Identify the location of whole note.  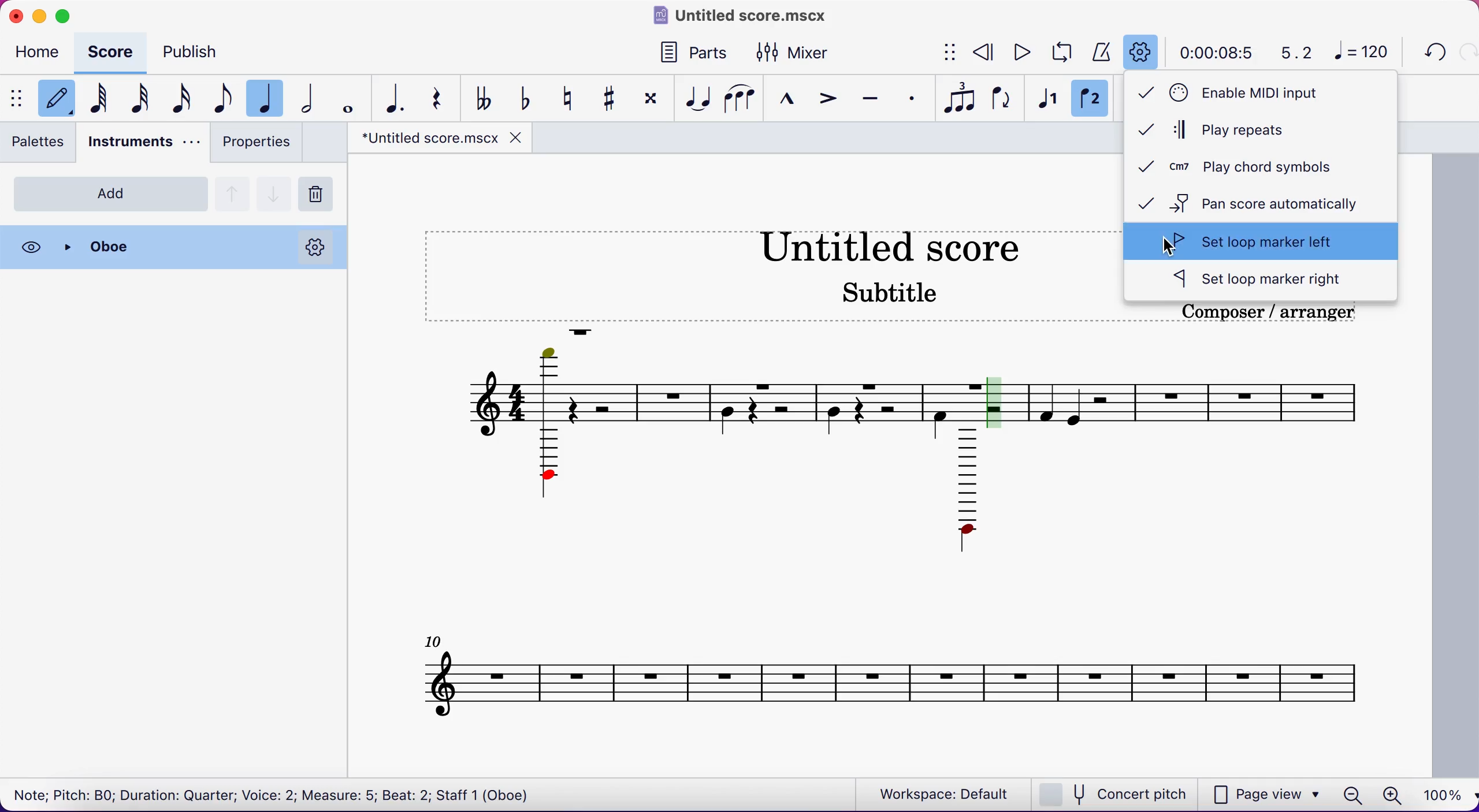
(345, 98).